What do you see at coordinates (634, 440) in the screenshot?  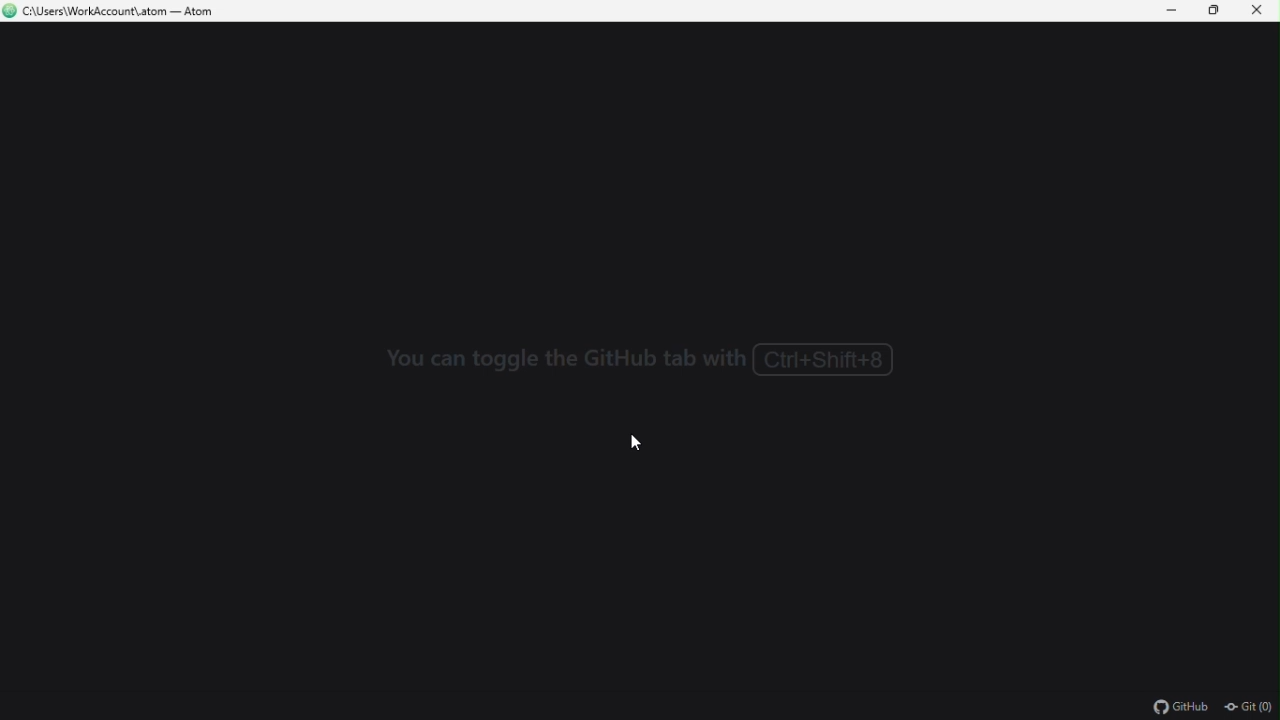 I see `cursor` at bounding box center [634, 440].